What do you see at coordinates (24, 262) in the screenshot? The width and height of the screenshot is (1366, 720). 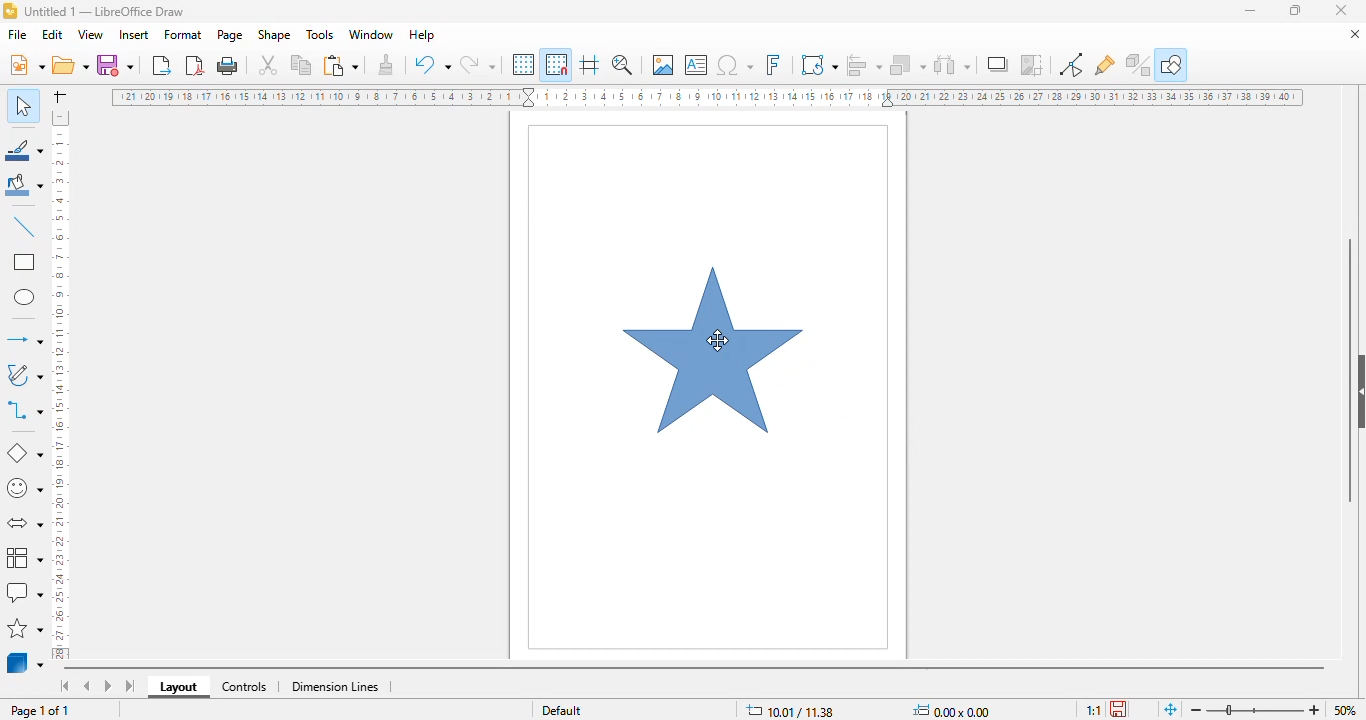 I see `rectangle` at bounding box center [24, 262].